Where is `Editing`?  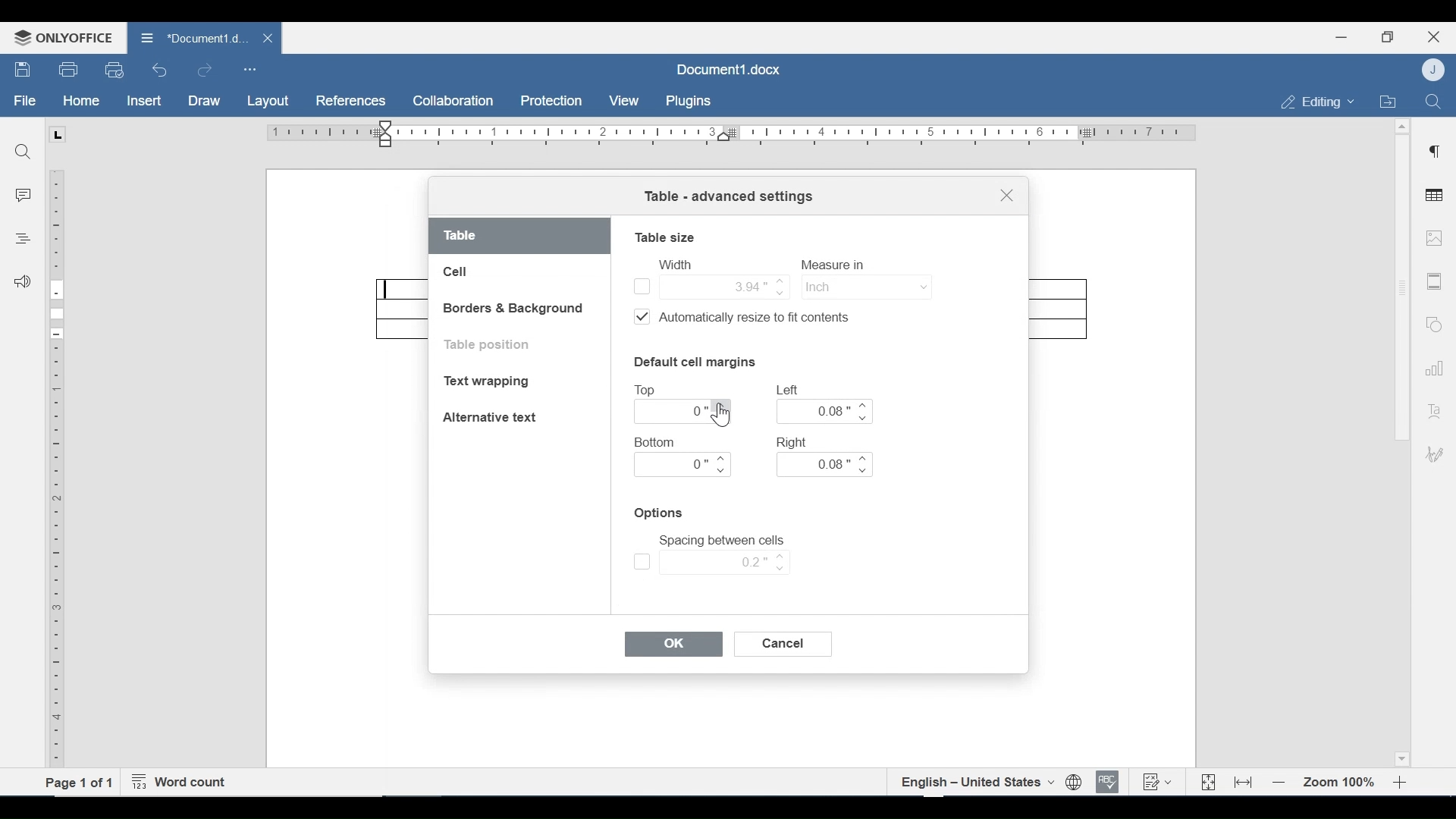 Editing is located at coordinates (1313, 102).